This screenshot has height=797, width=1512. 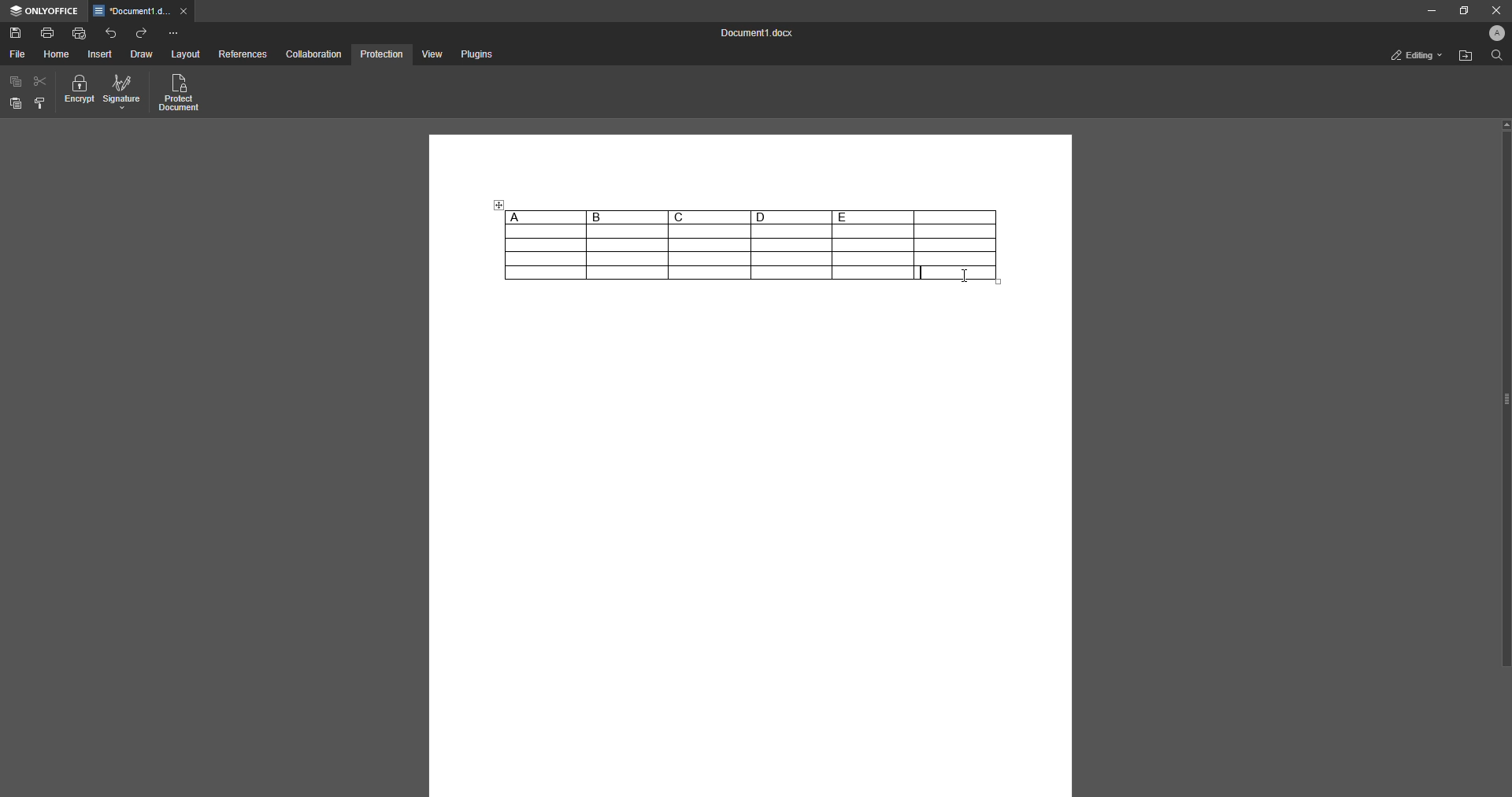 I want to click on Draw, so click(x=141, y=55).